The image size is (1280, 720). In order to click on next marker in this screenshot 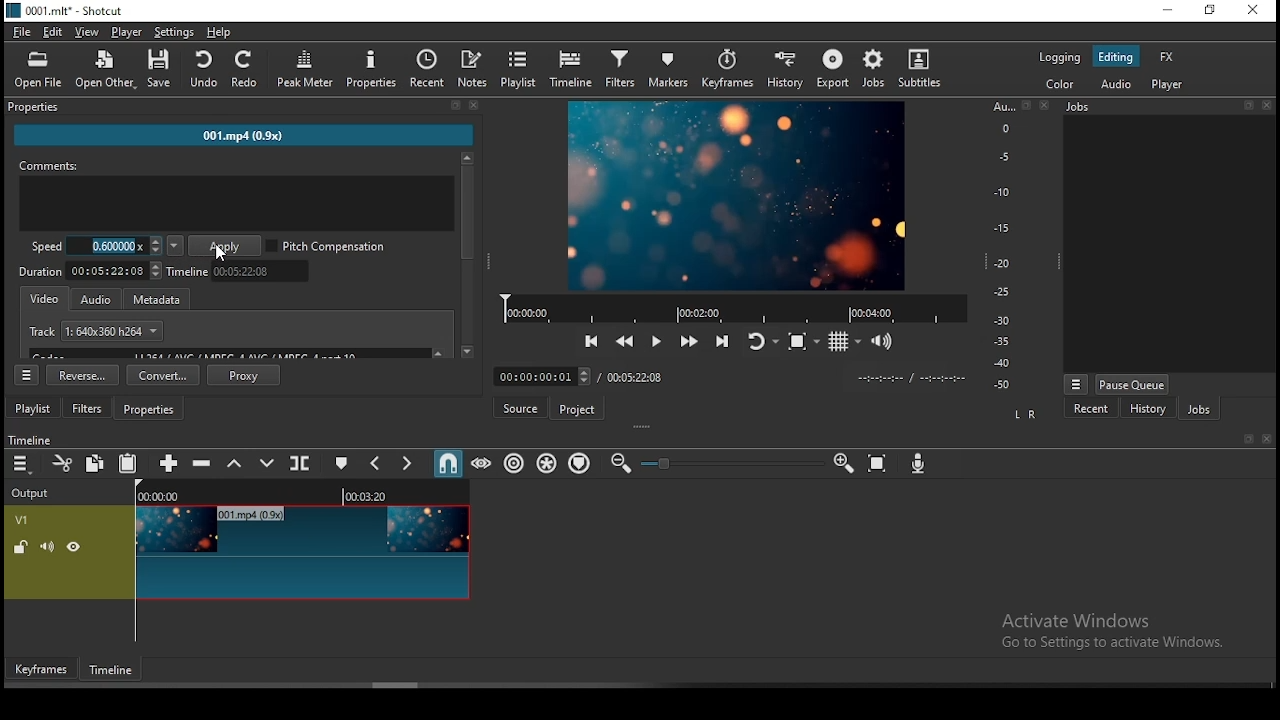, I will do `click(407, 462)`.